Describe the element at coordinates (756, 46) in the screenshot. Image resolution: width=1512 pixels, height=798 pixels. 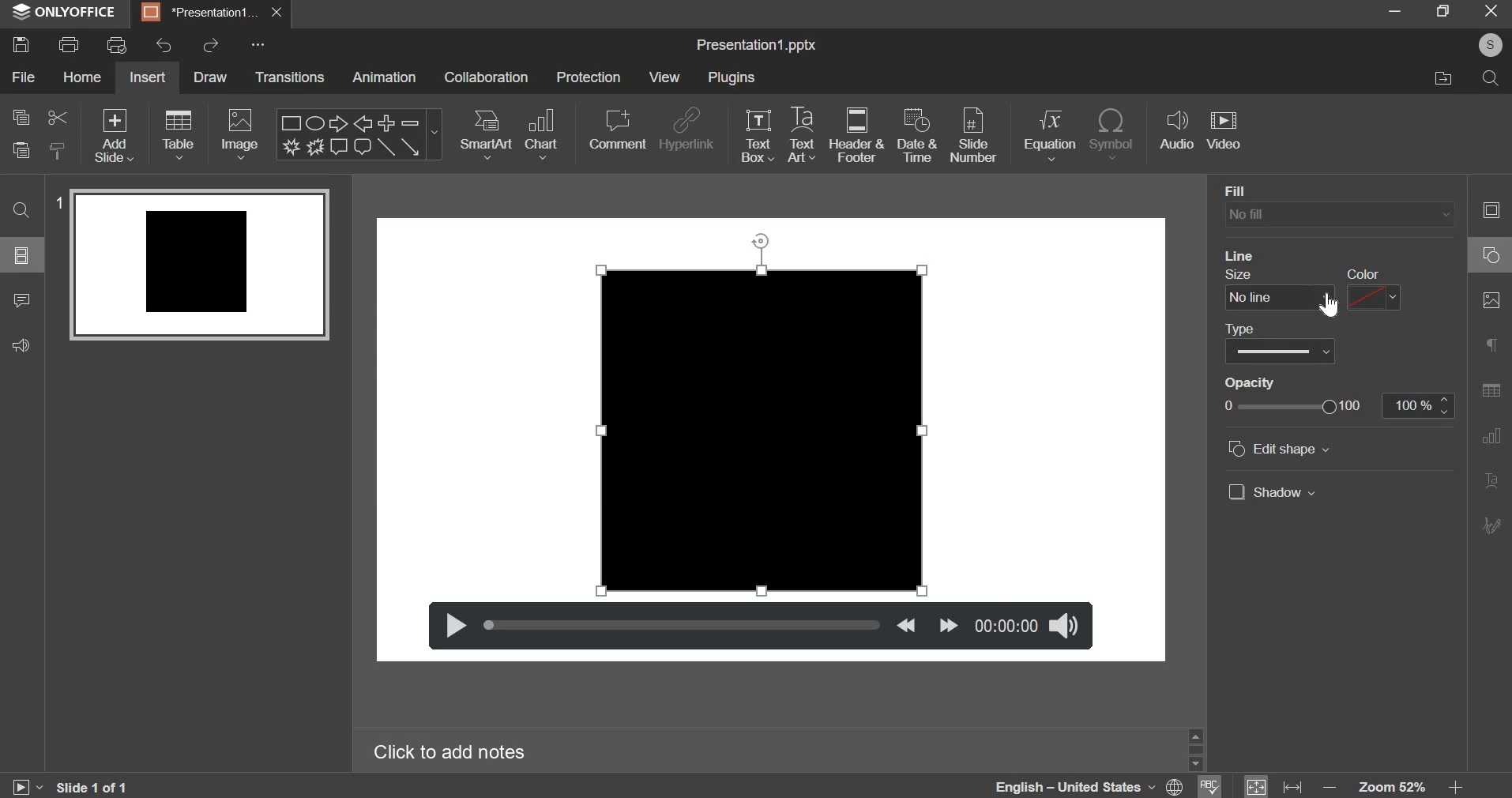
I see `presentation.pptx` at that location.